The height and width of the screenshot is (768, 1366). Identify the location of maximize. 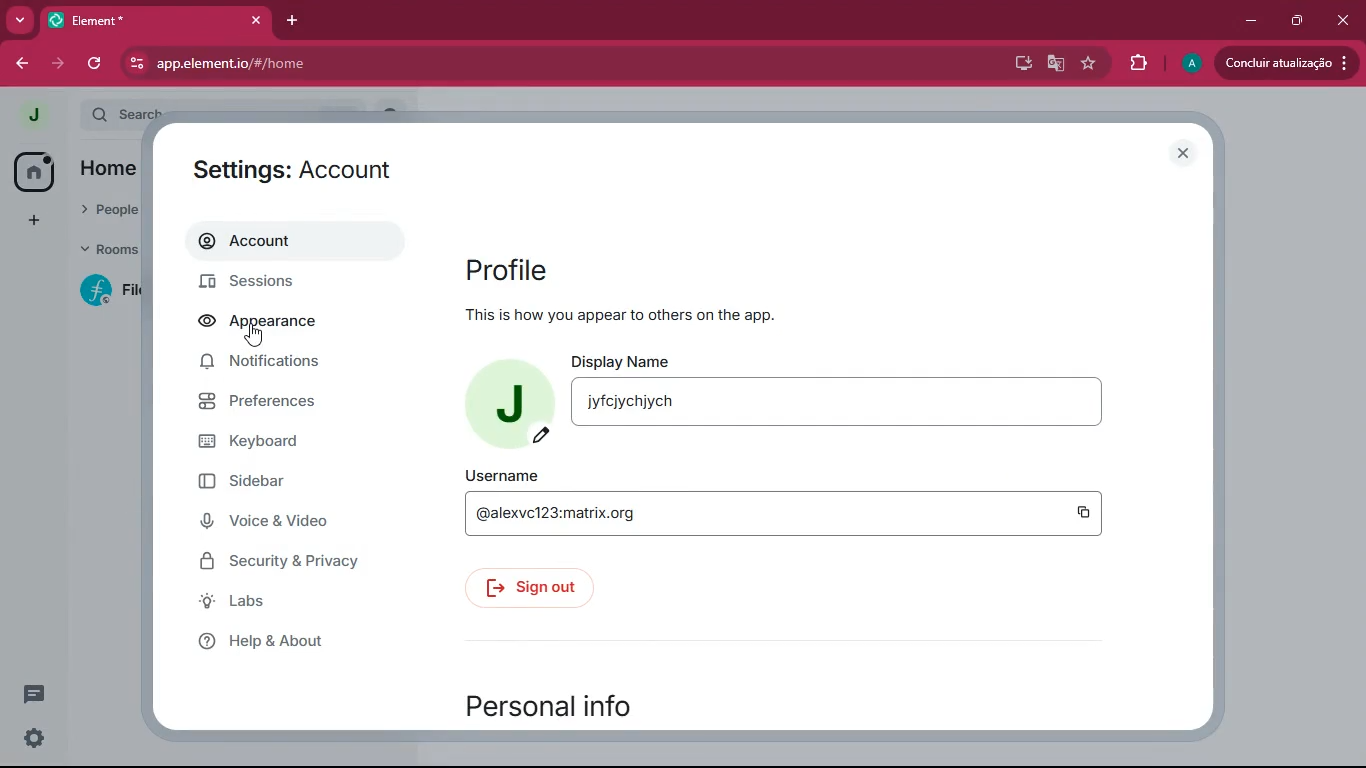
(1298, 20).